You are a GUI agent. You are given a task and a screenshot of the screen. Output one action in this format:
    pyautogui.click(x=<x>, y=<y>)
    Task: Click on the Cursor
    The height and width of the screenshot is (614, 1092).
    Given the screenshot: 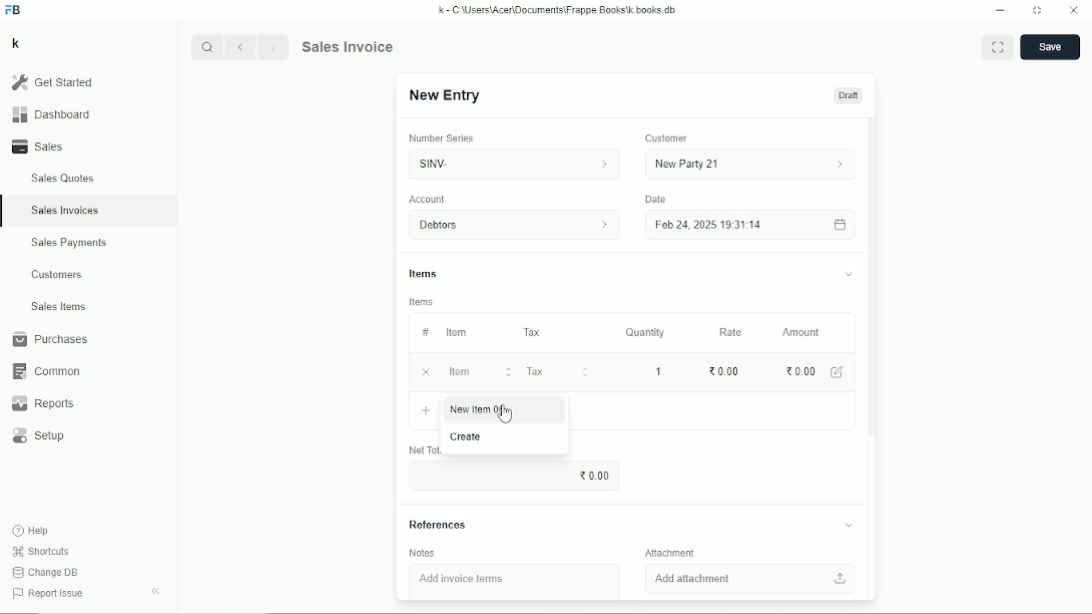 What is the action you would take?
    pyautogui.click(x=506, y=414)
    